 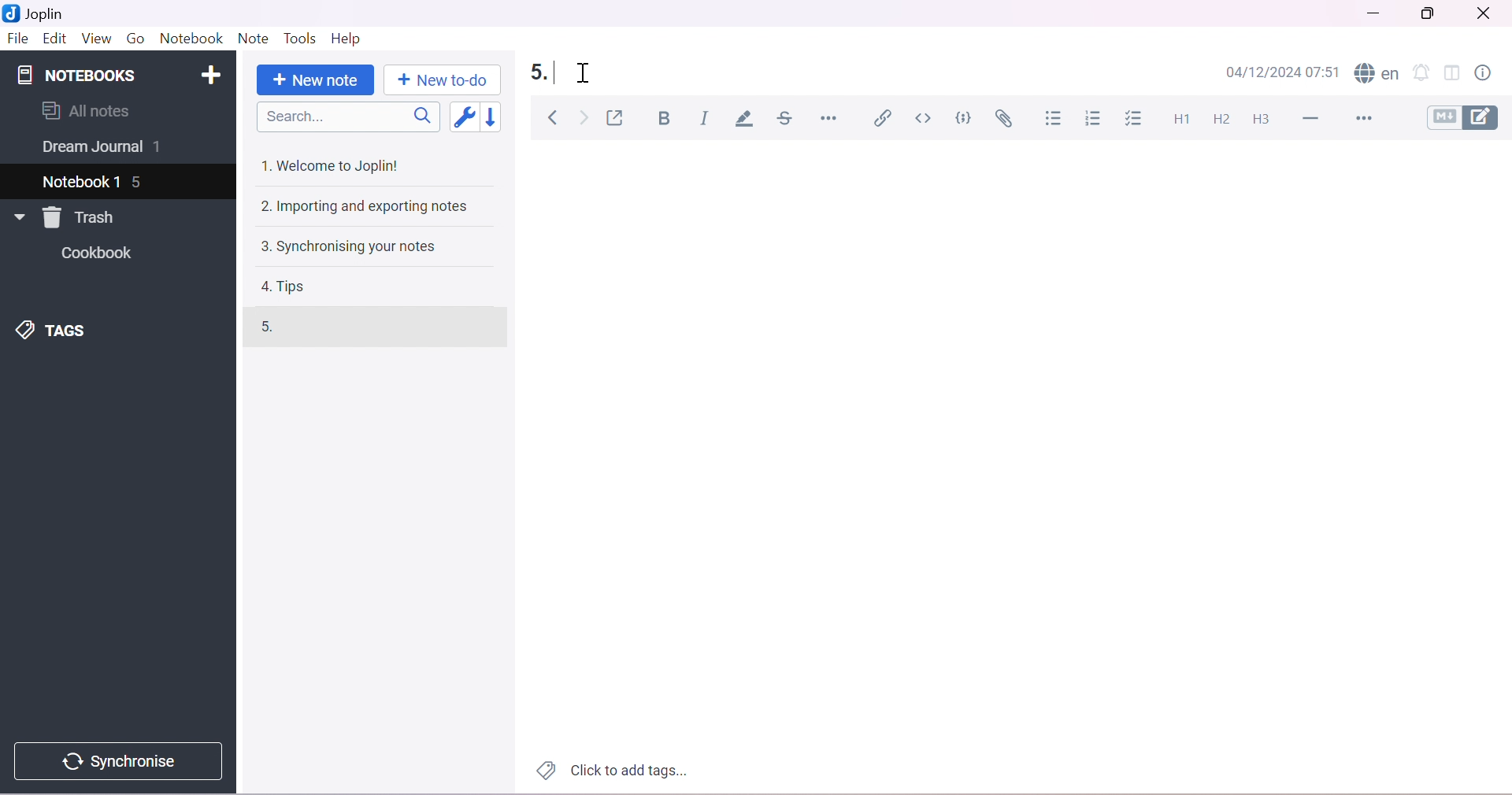 What do you see at coordinates (669, 120) in the screenshot?
I see `Bold` at bounding box center [669, 120].